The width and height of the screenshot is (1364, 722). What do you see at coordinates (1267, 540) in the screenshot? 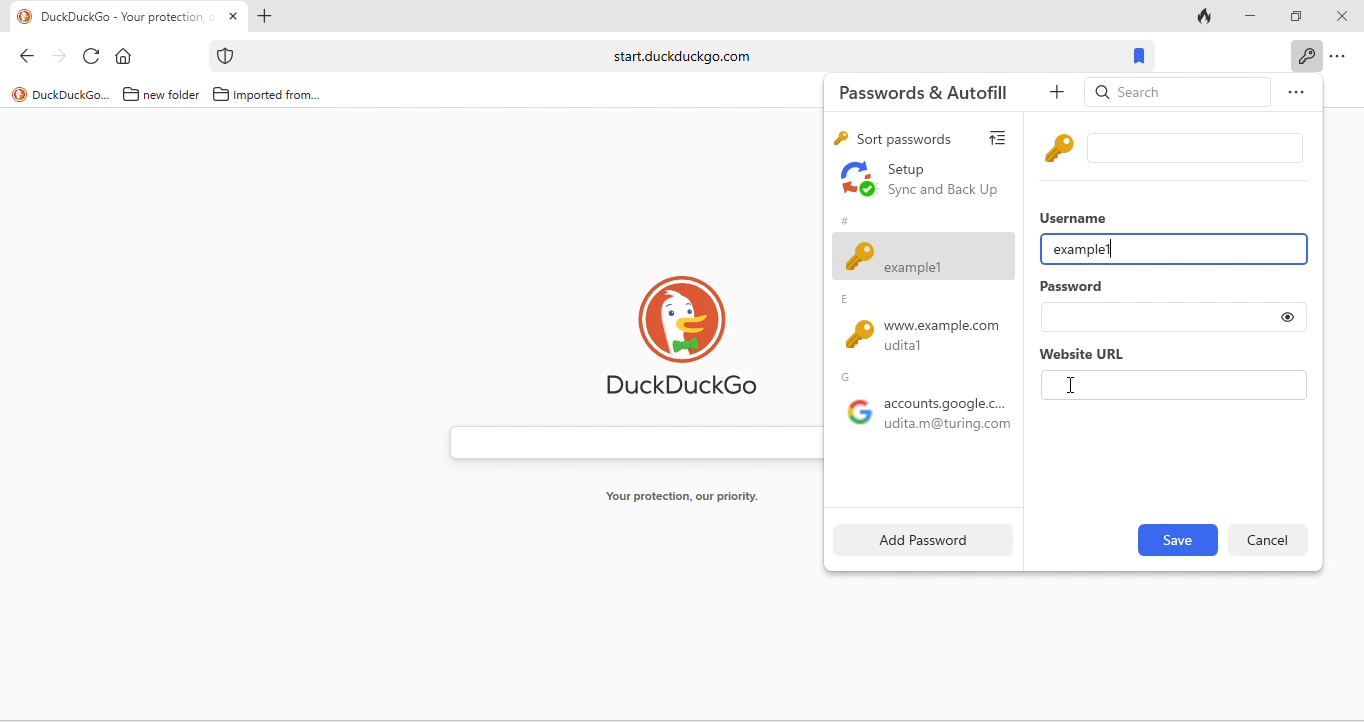
I see `delete` at bounding box center [1267, 540].